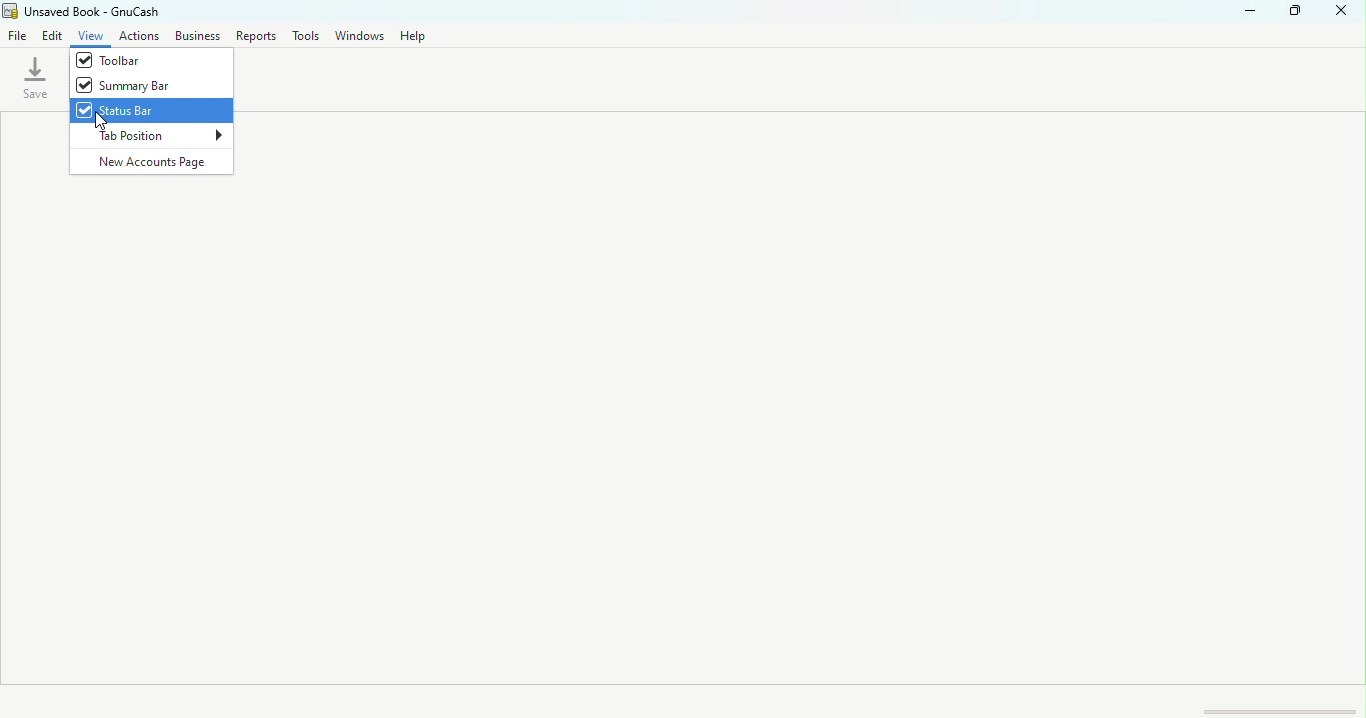 The image size is (1366, 718). I want to click on view, so click(90, 36).